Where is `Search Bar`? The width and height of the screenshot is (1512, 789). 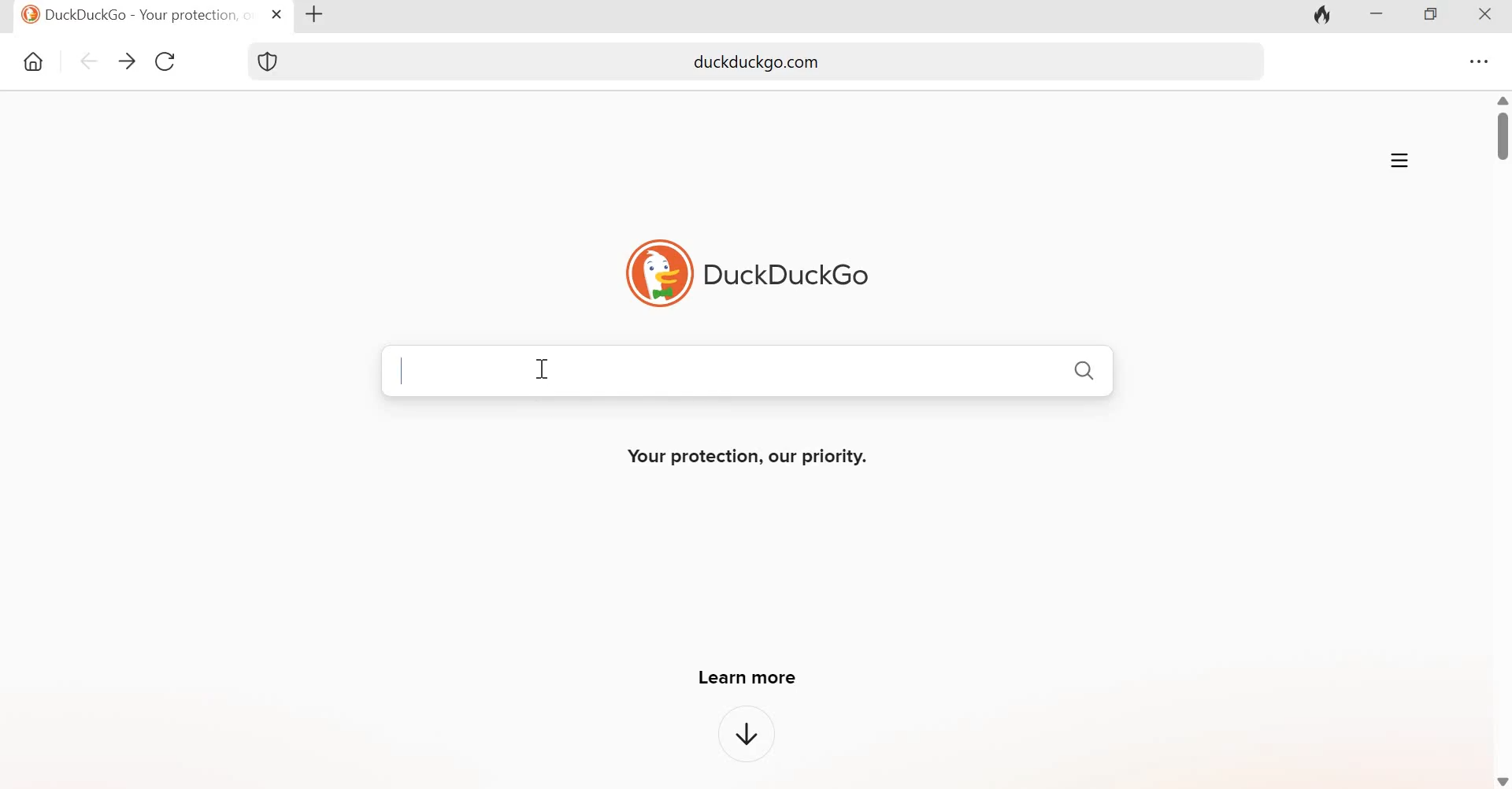 Search Bar is located at coordinates (750, 371).